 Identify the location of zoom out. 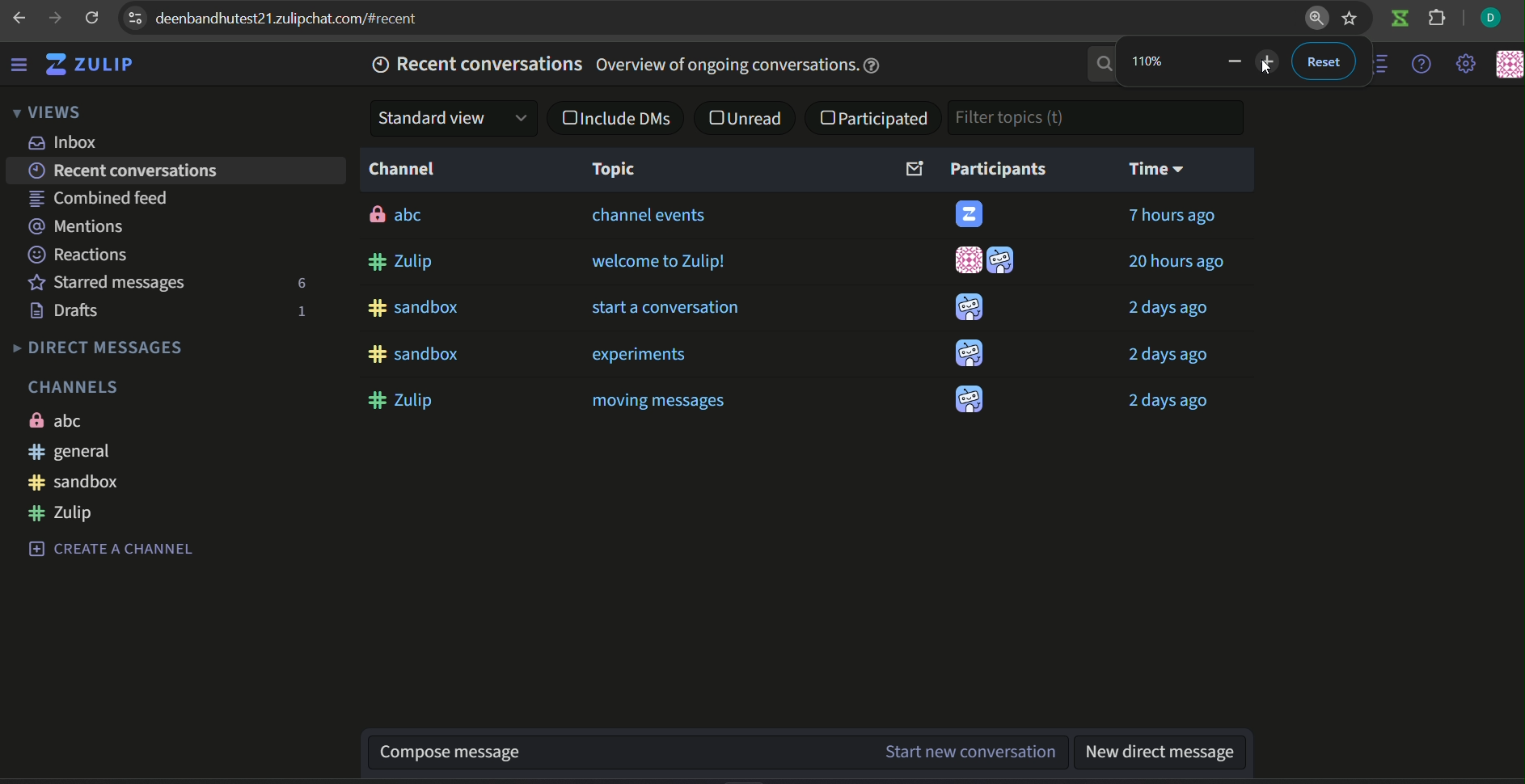
(1232, 61).